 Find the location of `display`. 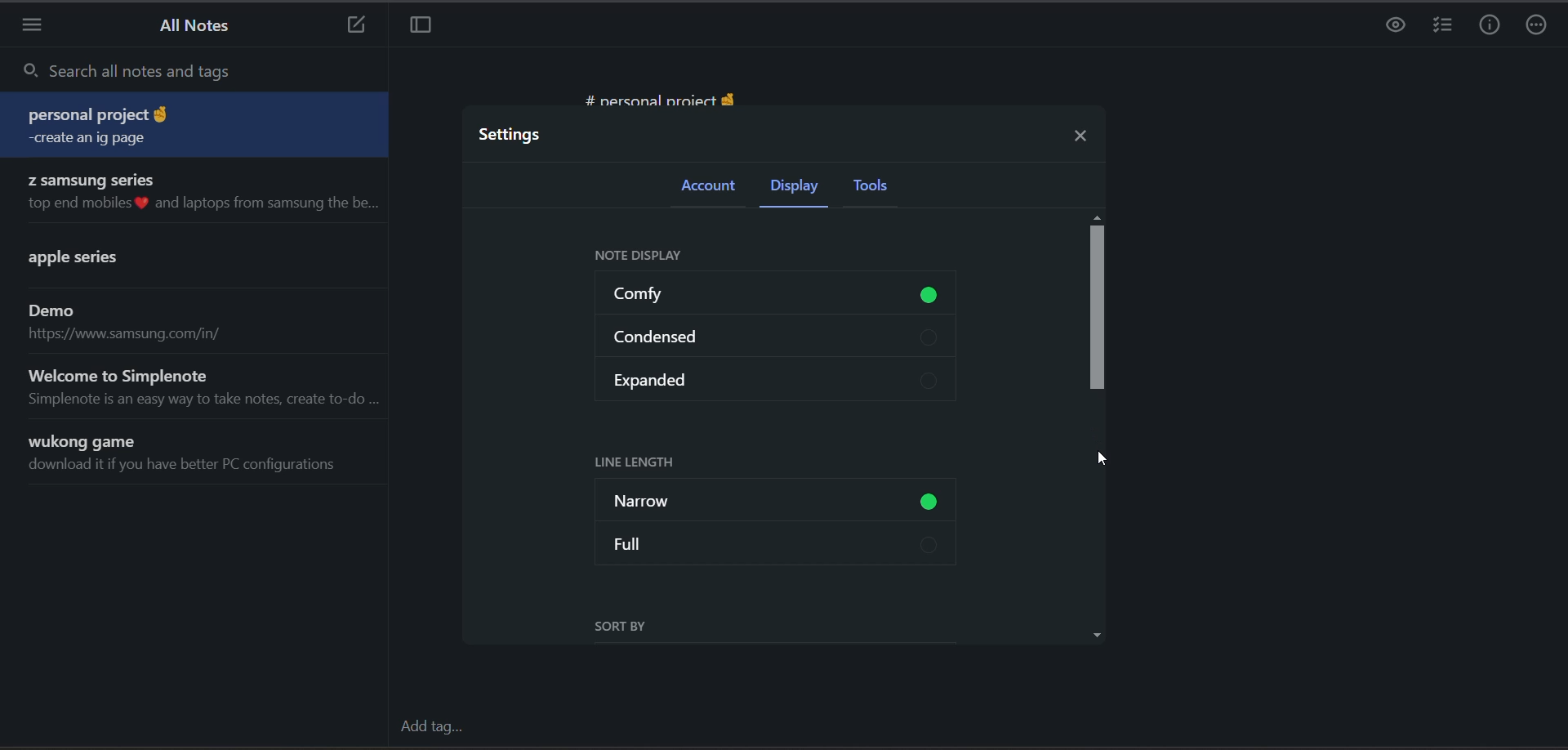

display is located at coordinates (793, 188).